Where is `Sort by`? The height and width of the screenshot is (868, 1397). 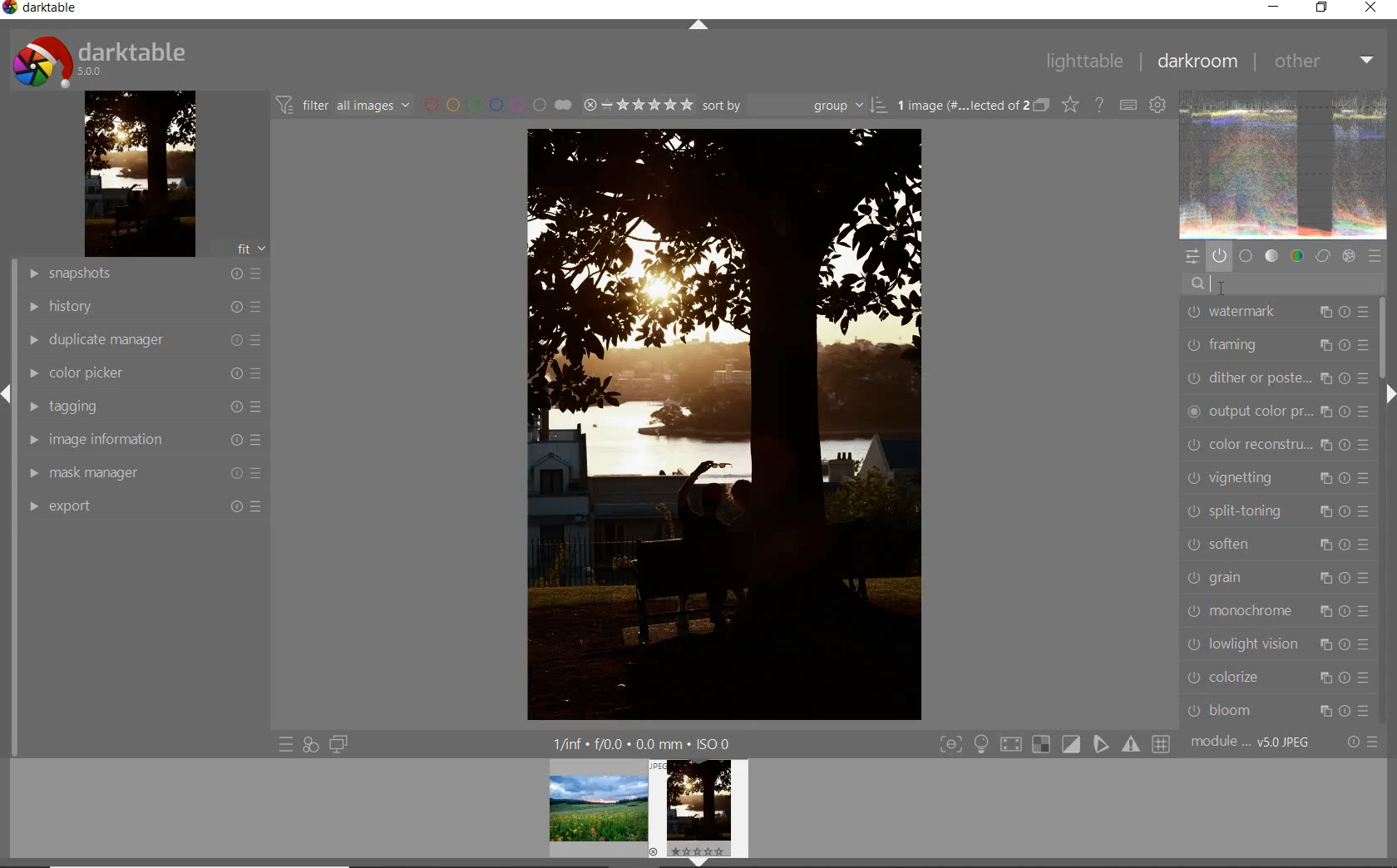
Sort by is located at coordinates (794, 106).